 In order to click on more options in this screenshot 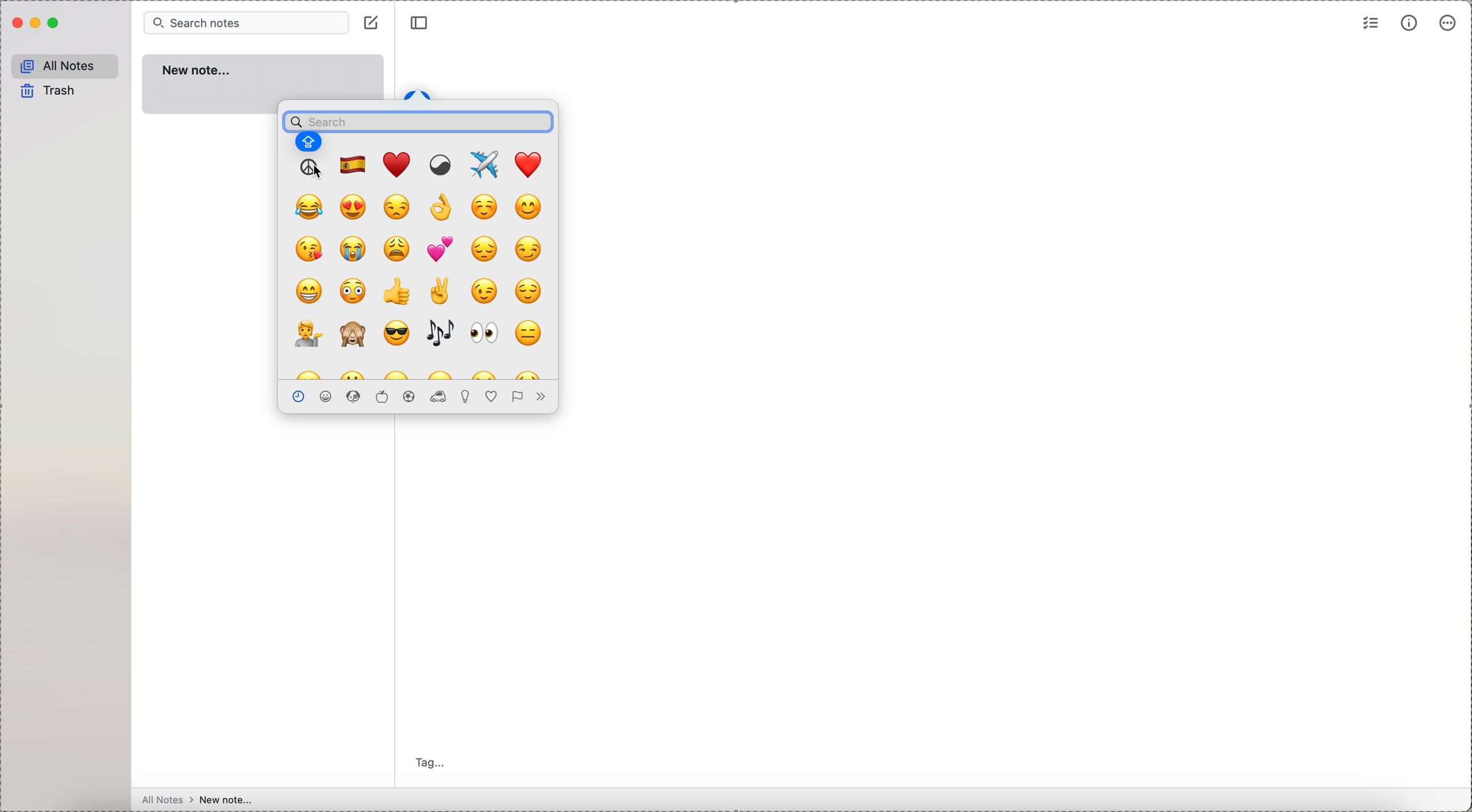, I will do `click(1449, 24)`.